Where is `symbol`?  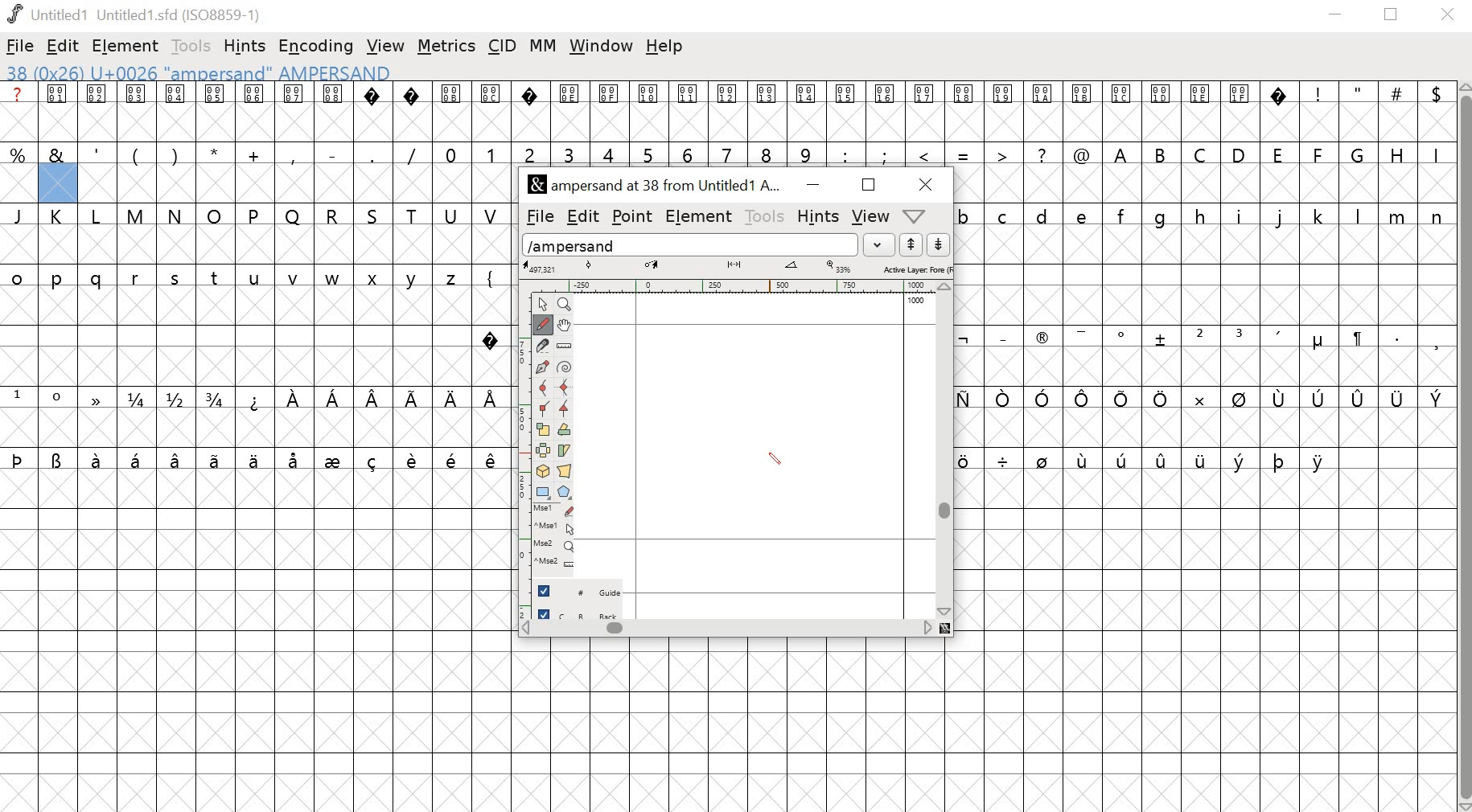 symbol is located at coordinates (1201, 459).